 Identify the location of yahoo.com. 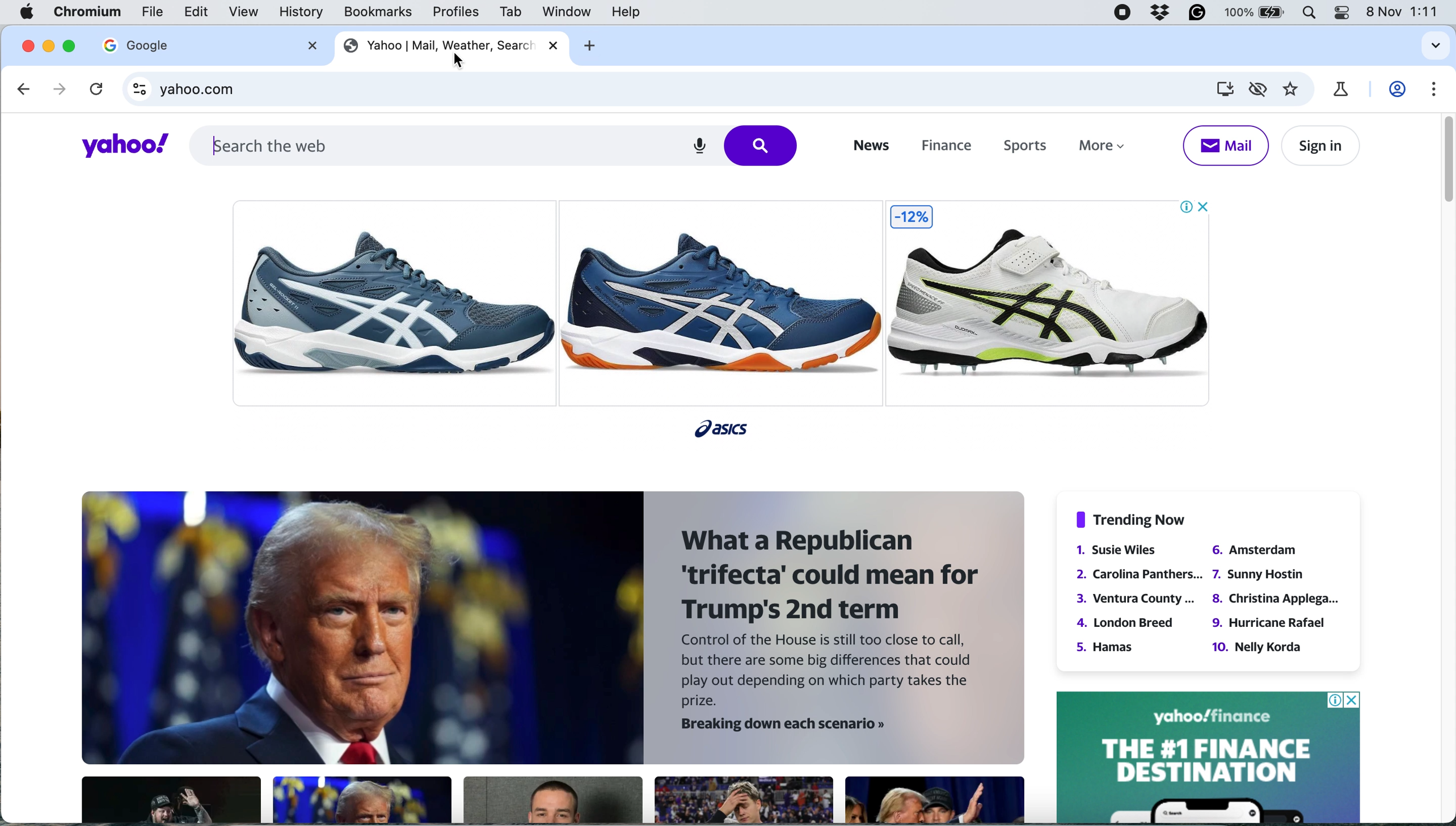
(678, 90).